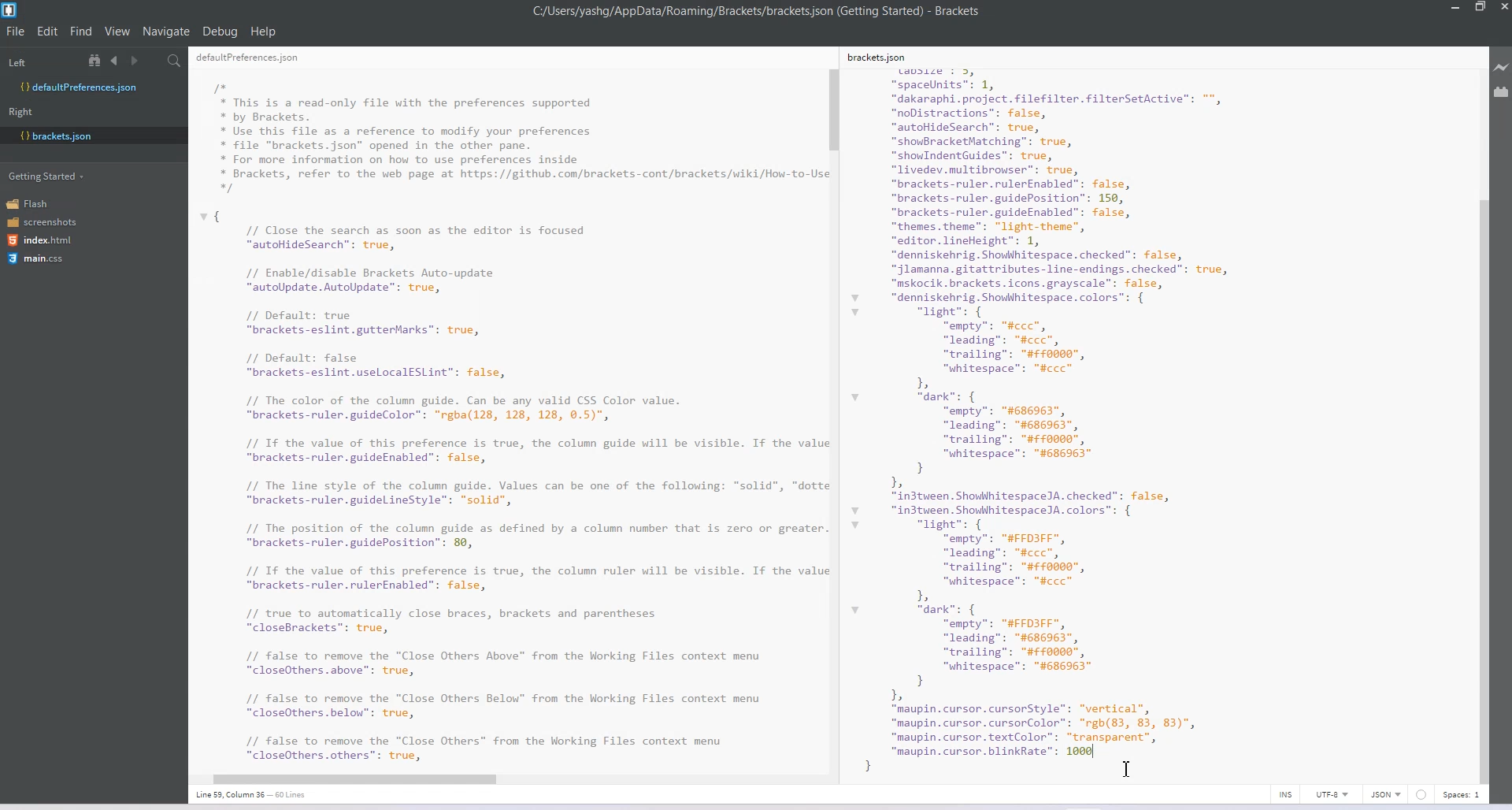  Describe the element at coordinates (97, 60) in the screenshot. I see `View in file Tree` at that location.